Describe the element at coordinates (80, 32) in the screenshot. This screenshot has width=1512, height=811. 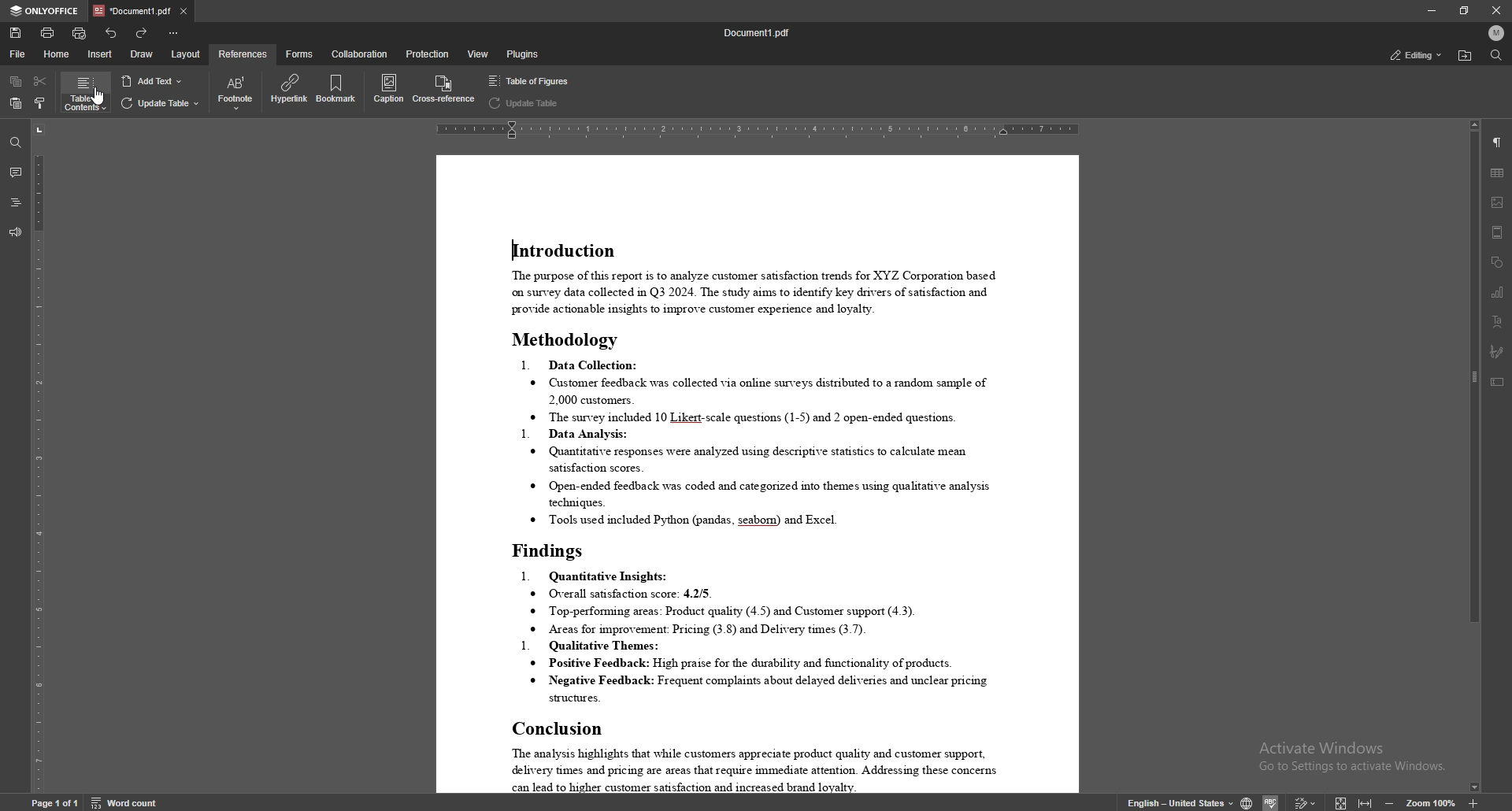
I see `quick print` at that location.